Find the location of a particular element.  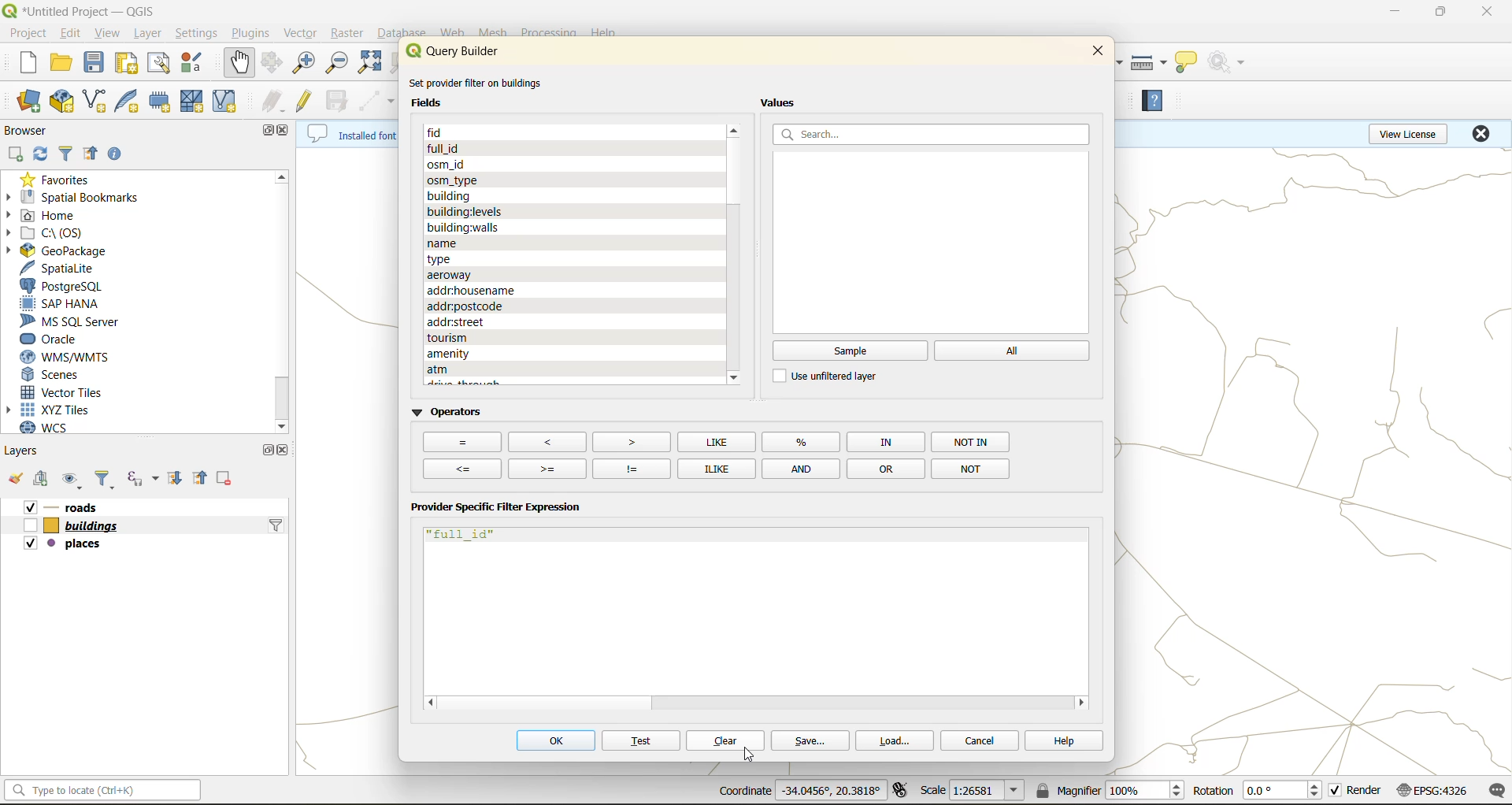

geopackage is located at coordinates (74, 250).